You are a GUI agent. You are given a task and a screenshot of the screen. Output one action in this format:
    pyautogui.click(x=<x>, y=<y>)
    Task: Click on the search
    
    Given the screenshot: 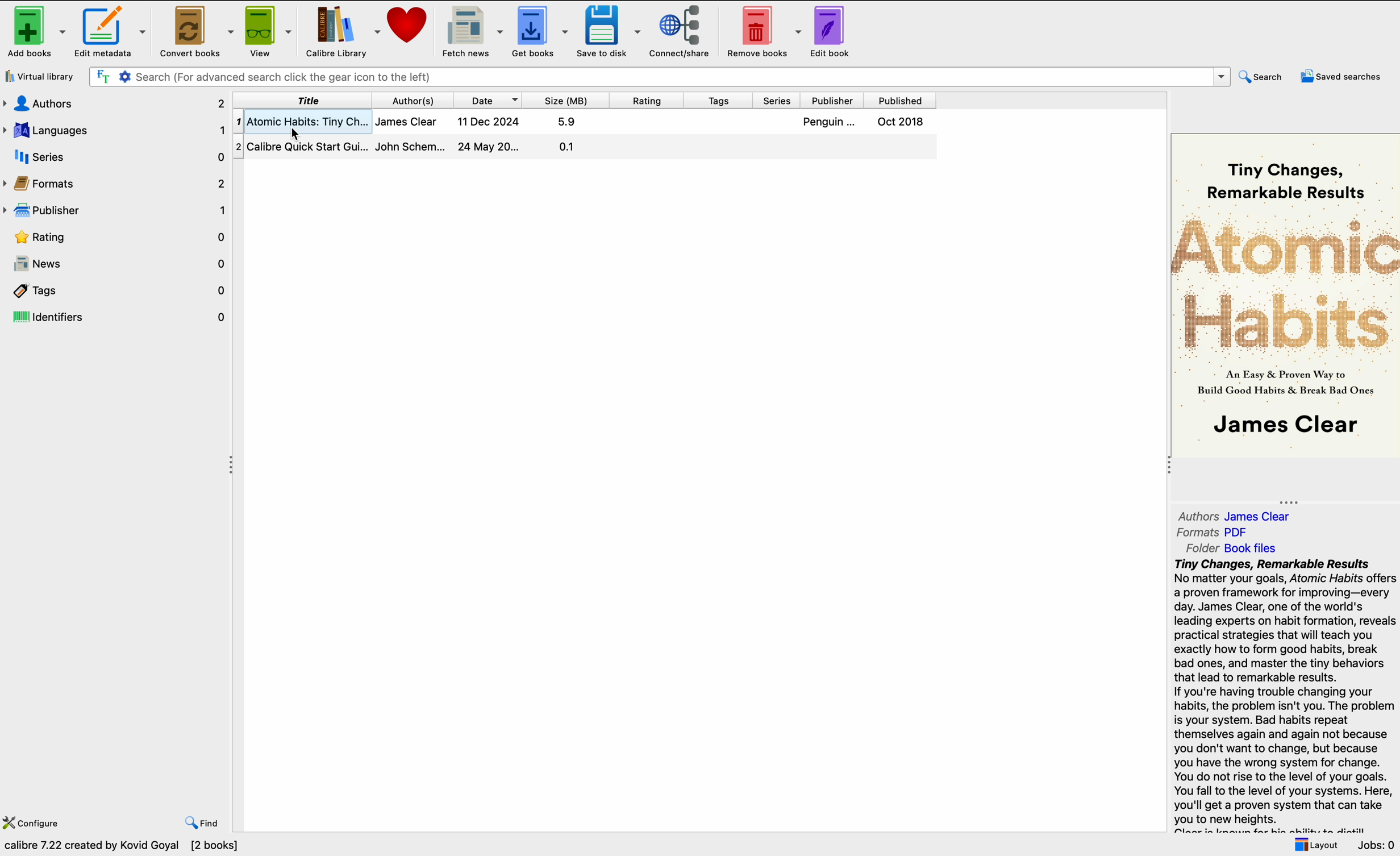 What is the action you would take?
    pyautogui.click(x=1265, y=76)
    